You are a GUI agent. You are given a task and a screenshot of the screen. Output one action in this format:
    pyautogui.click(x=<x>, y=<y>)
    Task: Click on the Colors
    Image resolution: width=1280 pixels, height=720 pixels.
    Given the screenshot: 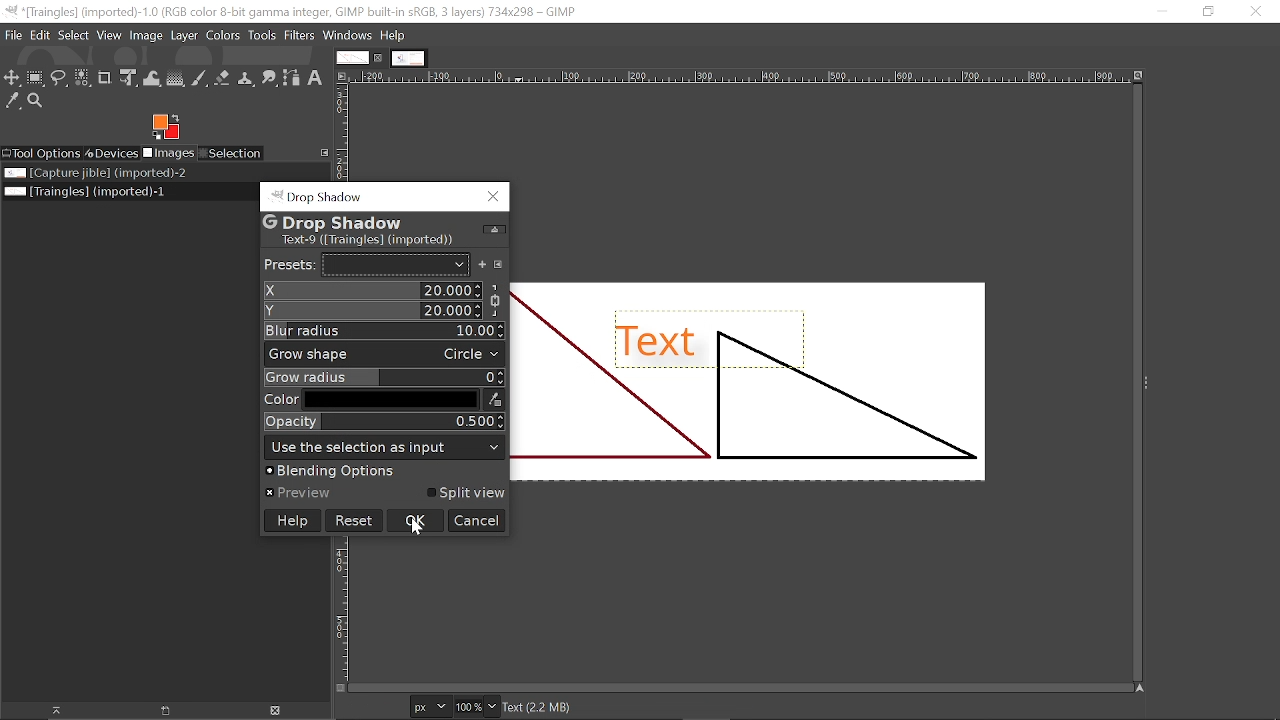 What is the action you would take?
    pyautogui.click(x=223, y=36)
    